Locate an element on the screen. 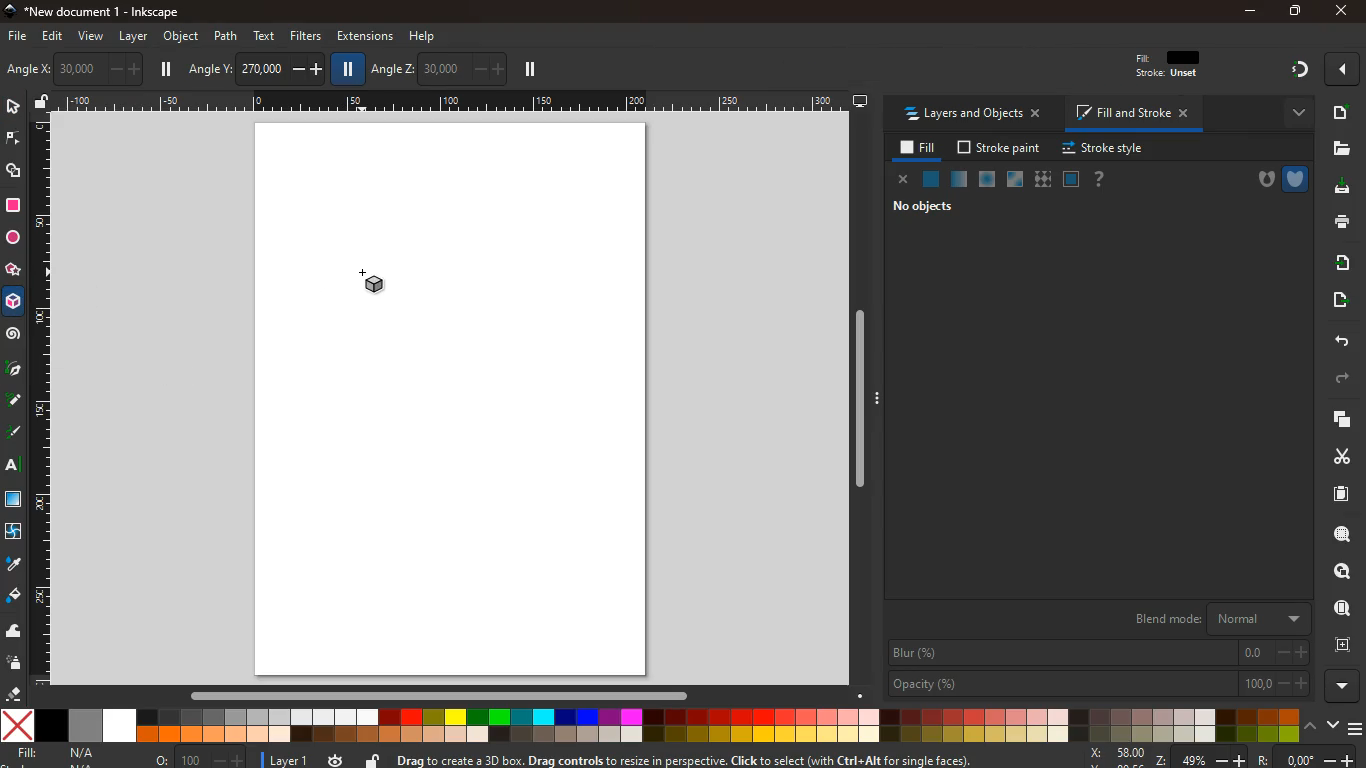 This screenshot has height=768, width=1366. view is located at coordinates (92, 37).